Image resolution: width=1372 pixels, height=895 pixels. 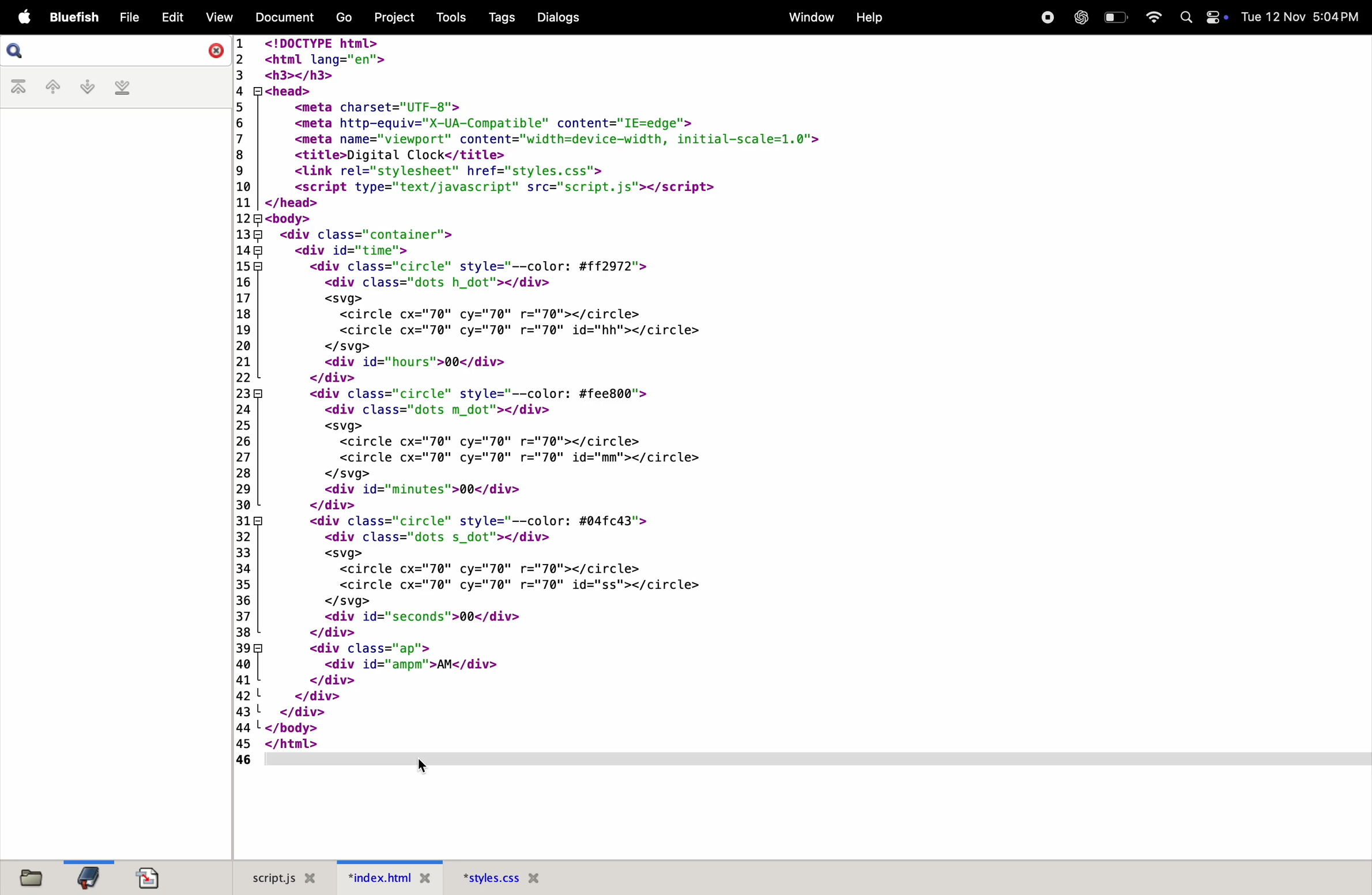 I want to click on project, so click(x=393, y=18).